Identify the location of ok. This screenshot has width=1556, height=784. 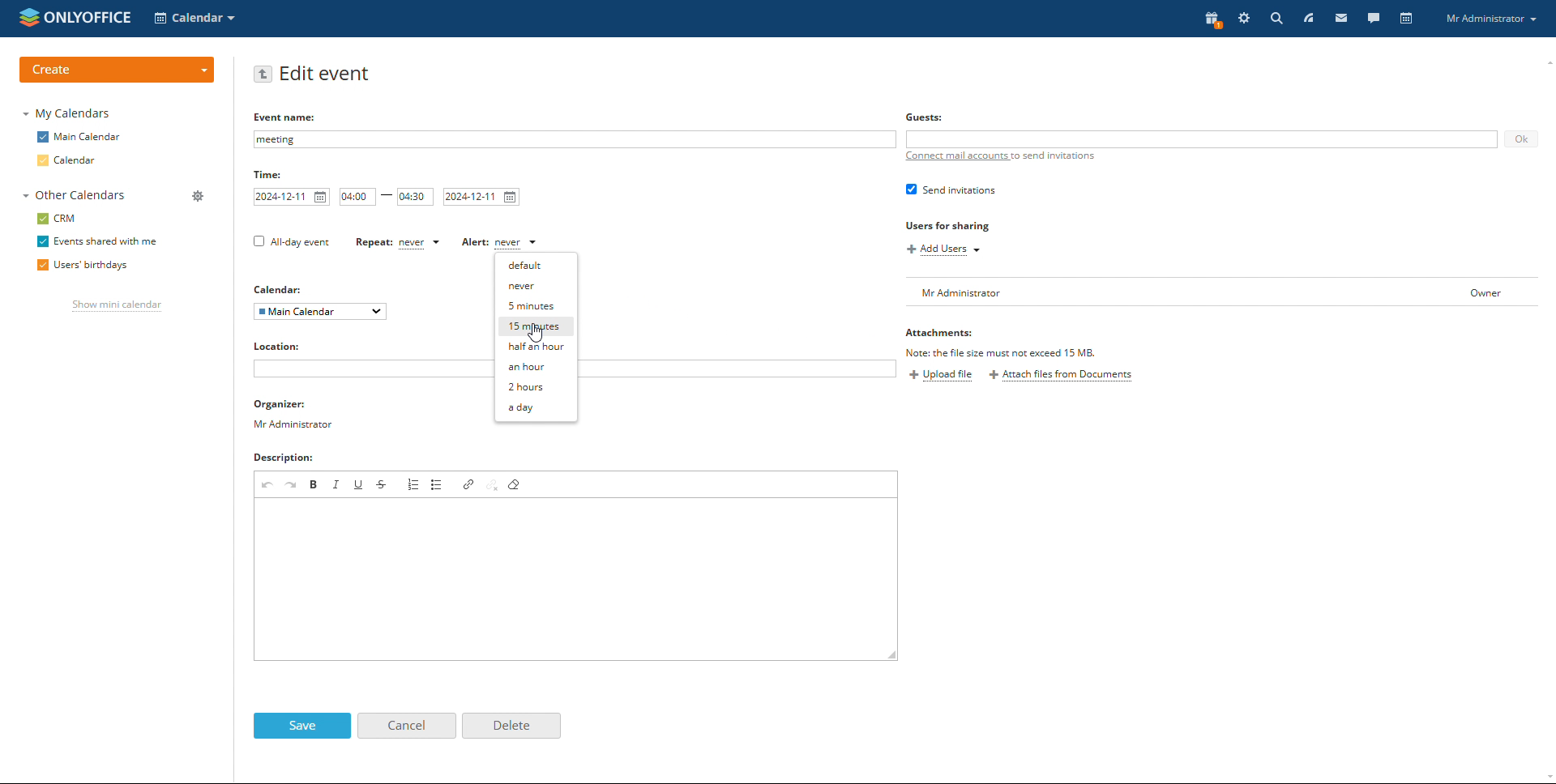
(1520, 139).